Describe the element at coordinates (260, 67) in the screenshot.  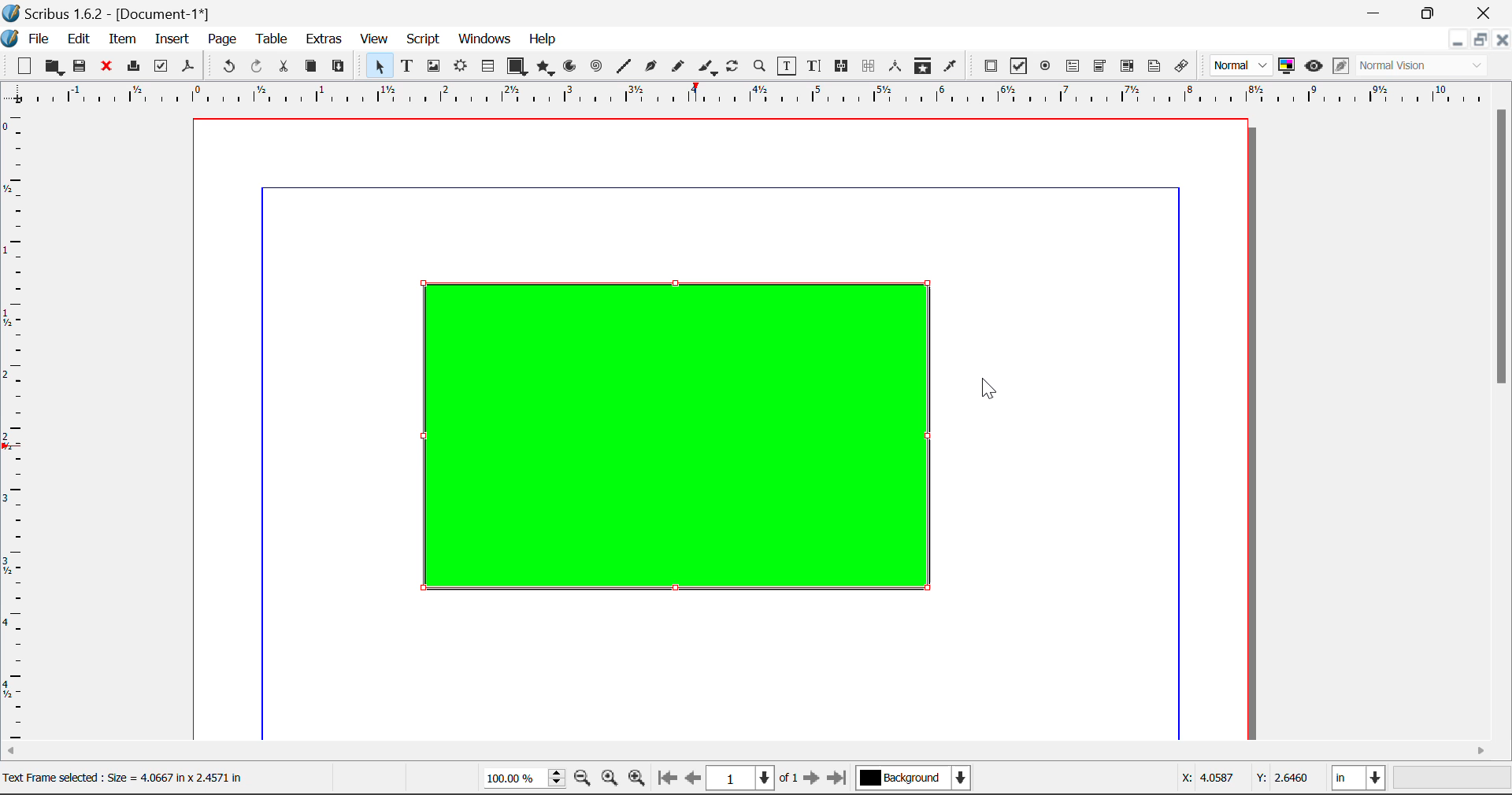
I see `Redo` at that location.